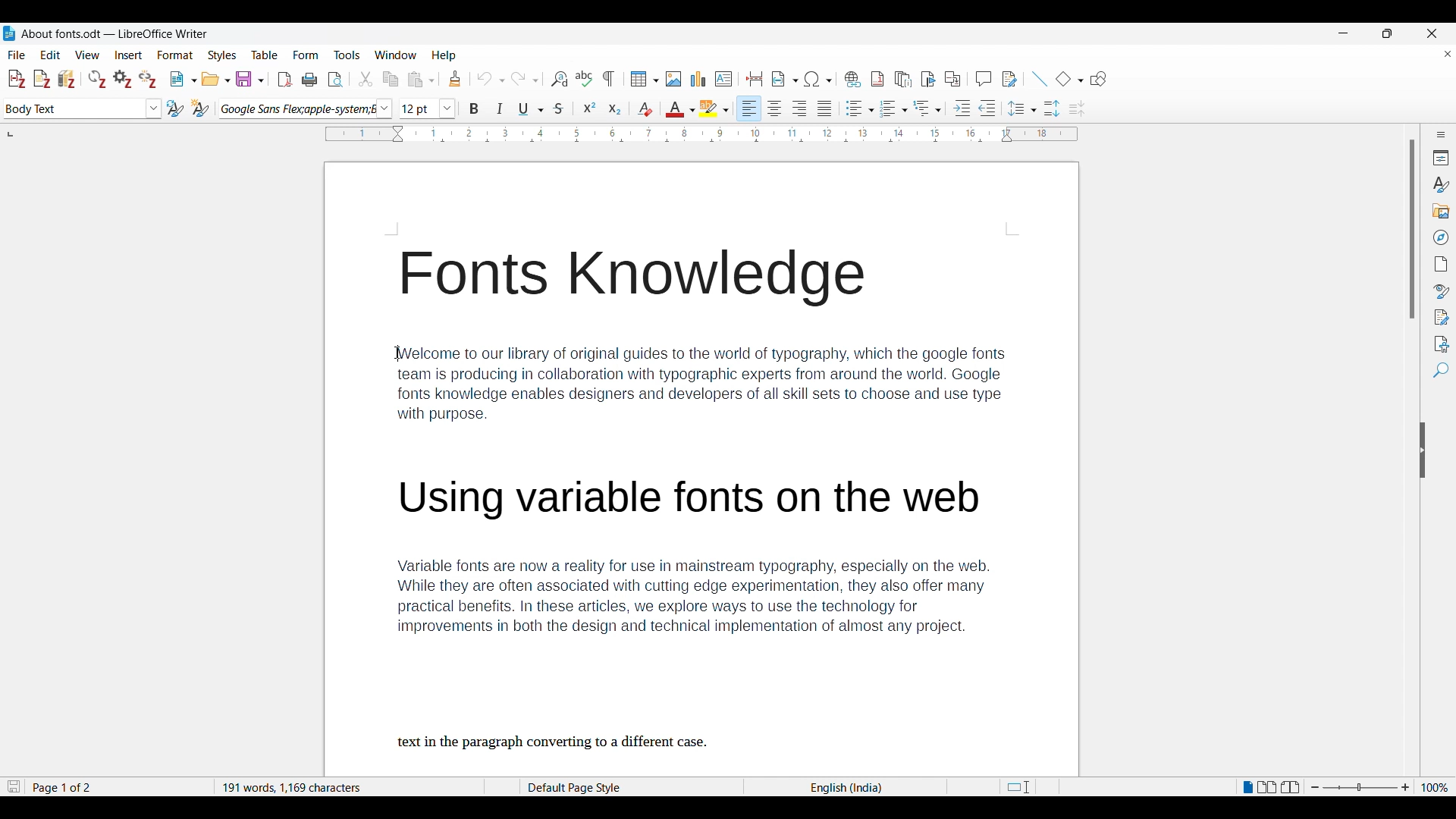 Image resolution: width=1456 pixels, height=819 pixels. What do you see at coordinates (584, 79) in the screenshot?
I see `Spell check` at bounding box center [584, 79].